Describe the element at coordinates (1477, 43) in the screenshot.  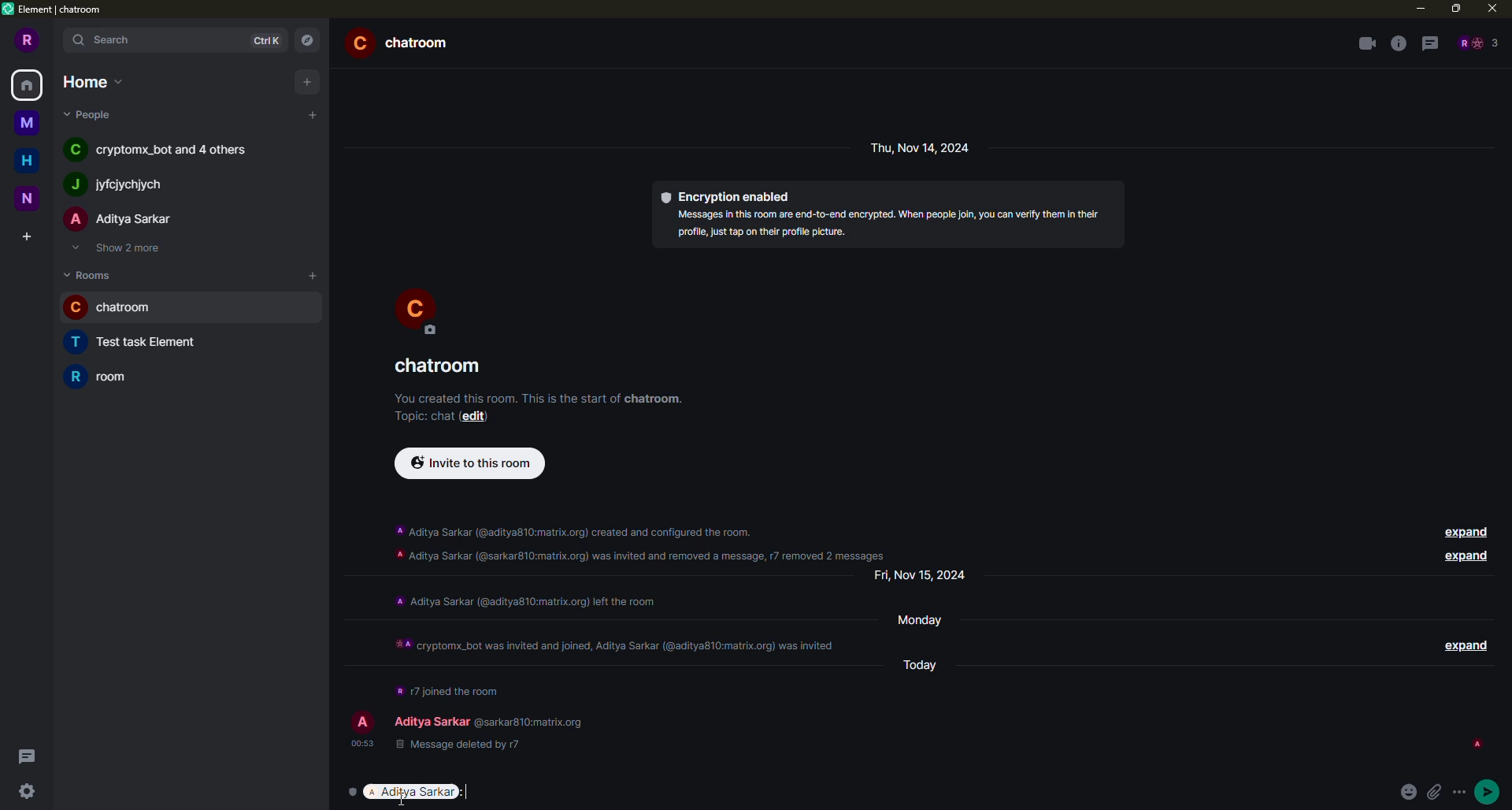
I see `people` at that location.